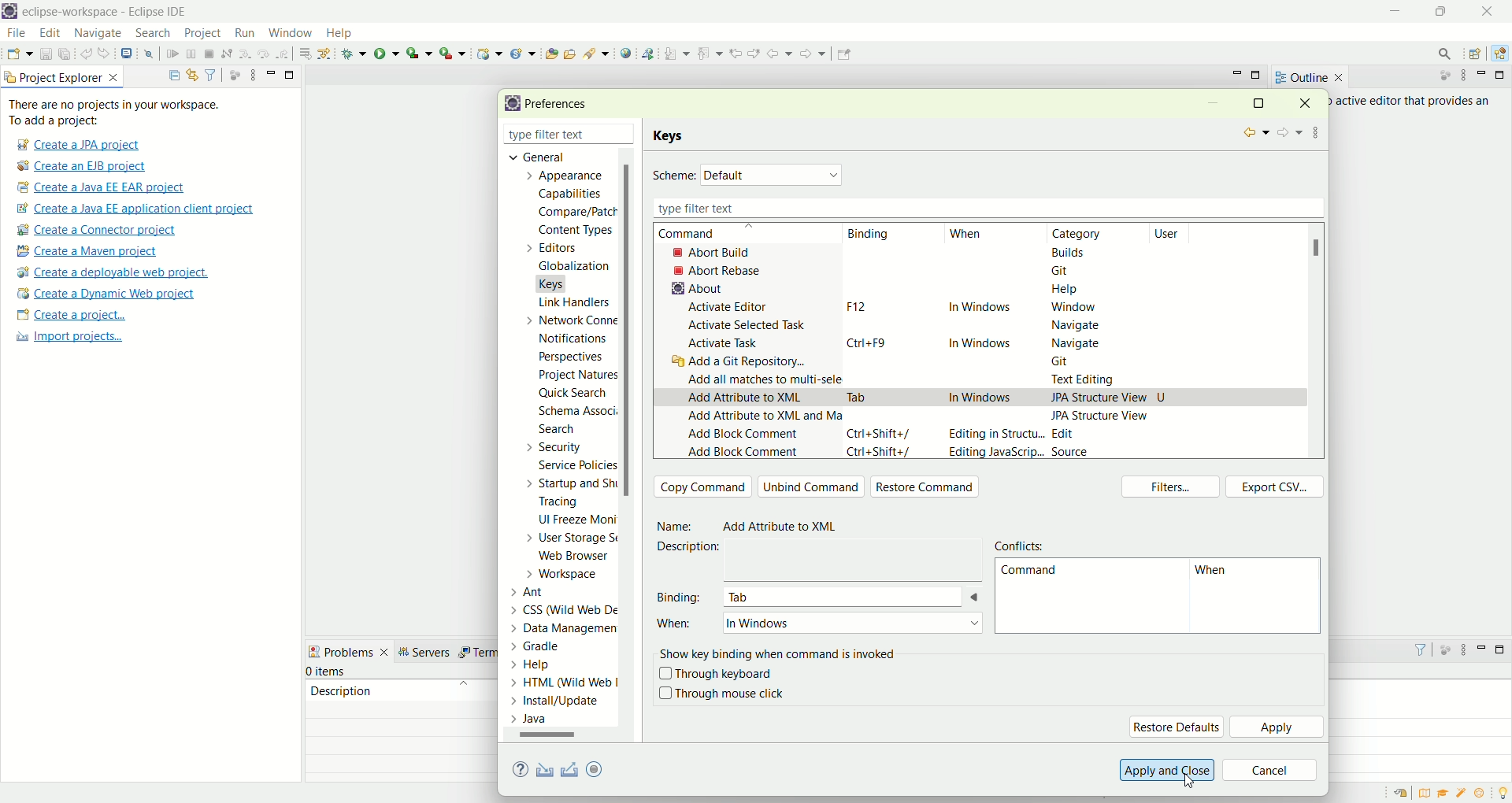 The image size is (1512, 803). I want to click on back, so click(783, 53).